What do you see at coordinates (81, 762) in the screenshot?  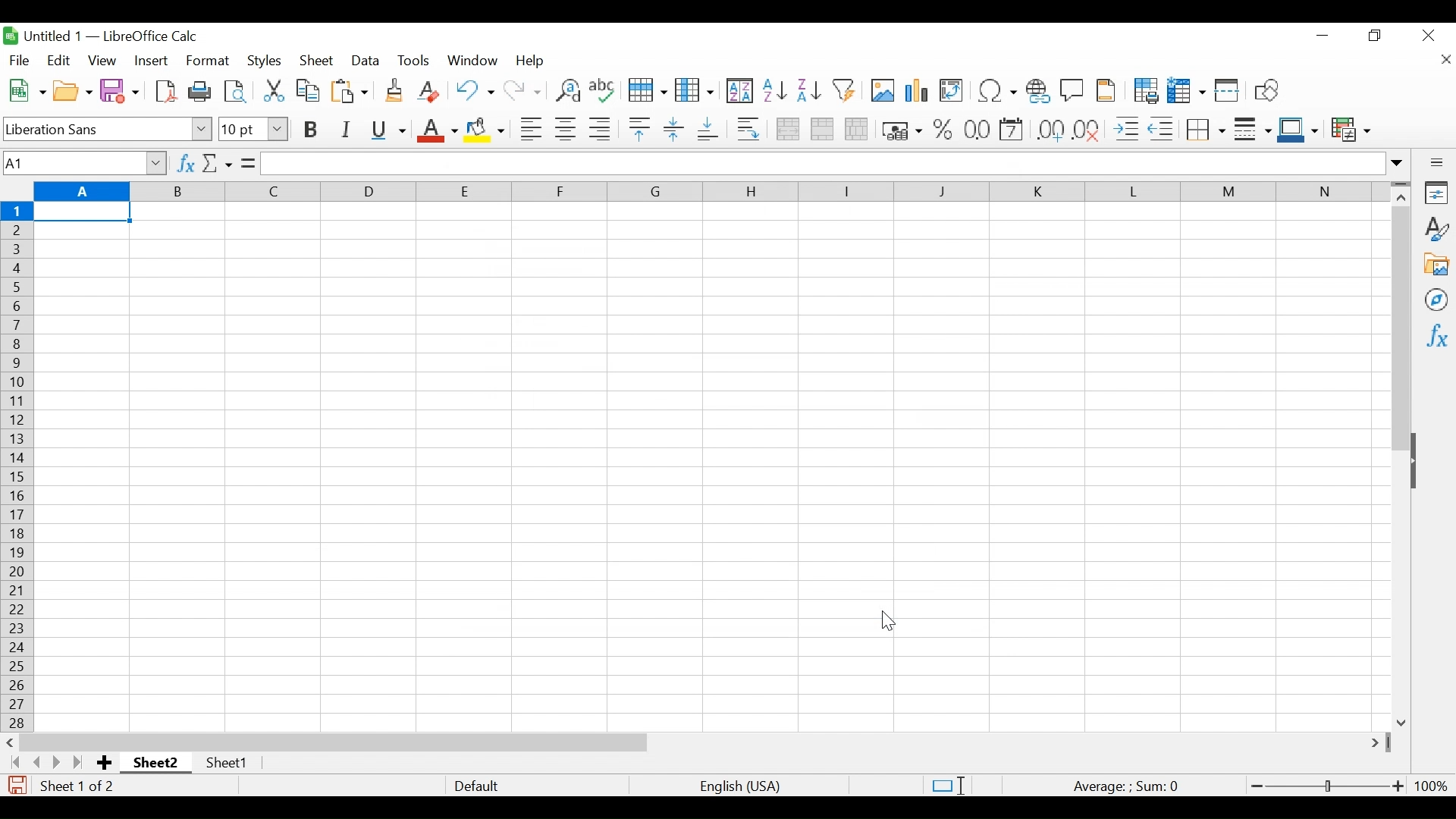 I see `Scroll to the last page` at bounding box center [81, 762].